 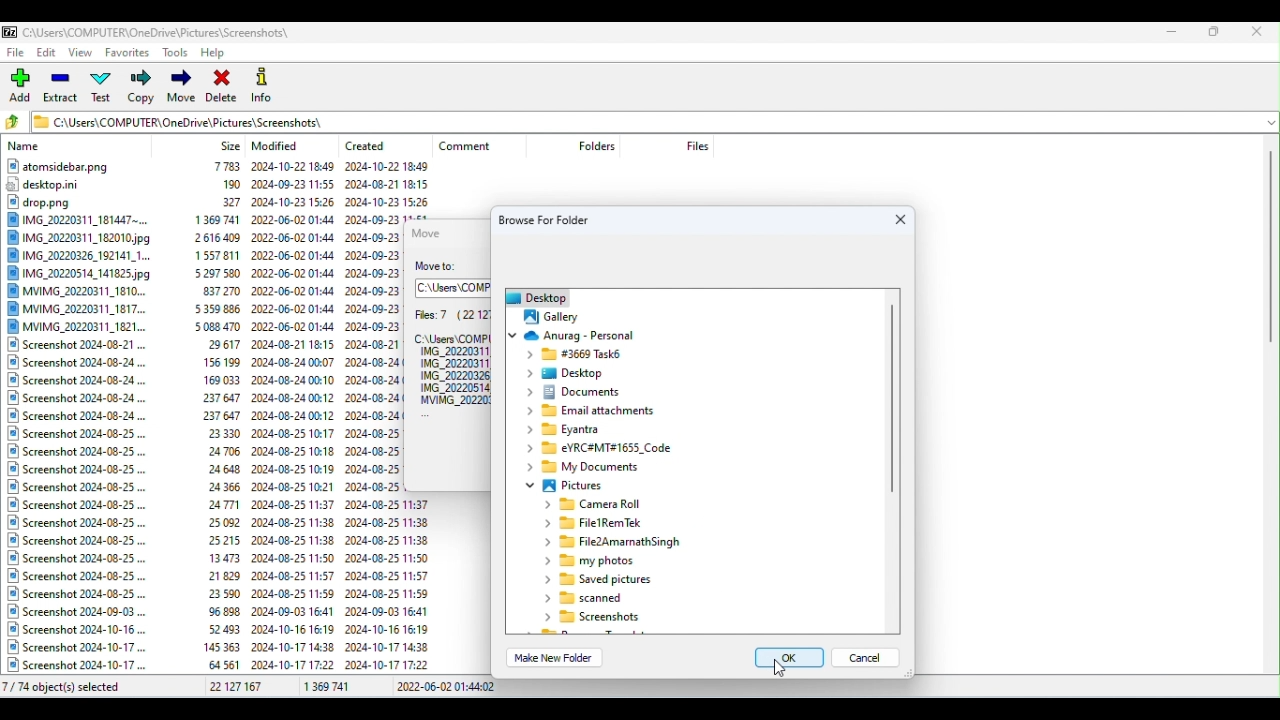 I want to click on Anurag - personal, so click(x=583, y=335).